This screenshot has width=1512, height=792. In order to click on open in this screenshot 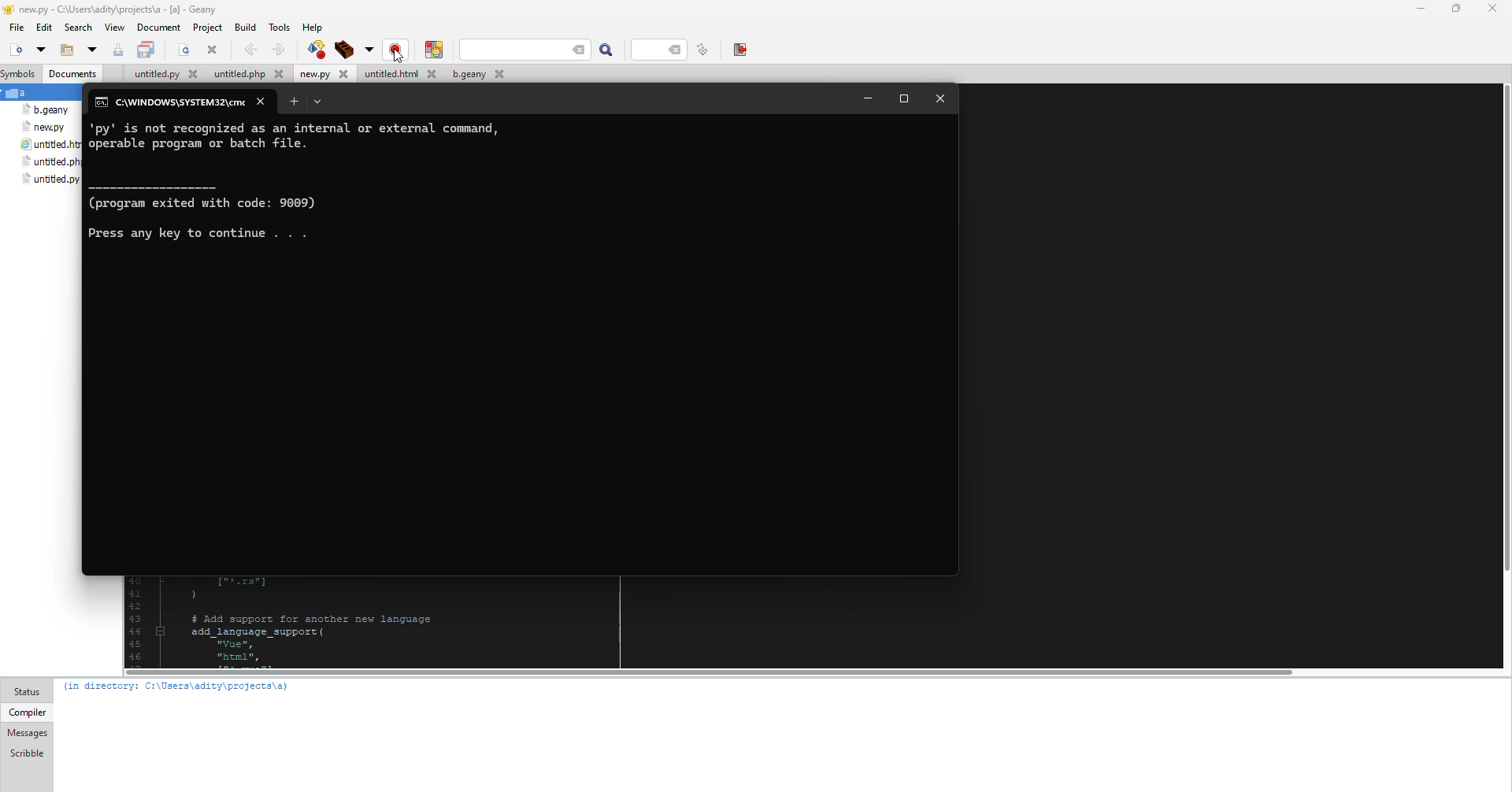, I will do `click(40, 50)`.